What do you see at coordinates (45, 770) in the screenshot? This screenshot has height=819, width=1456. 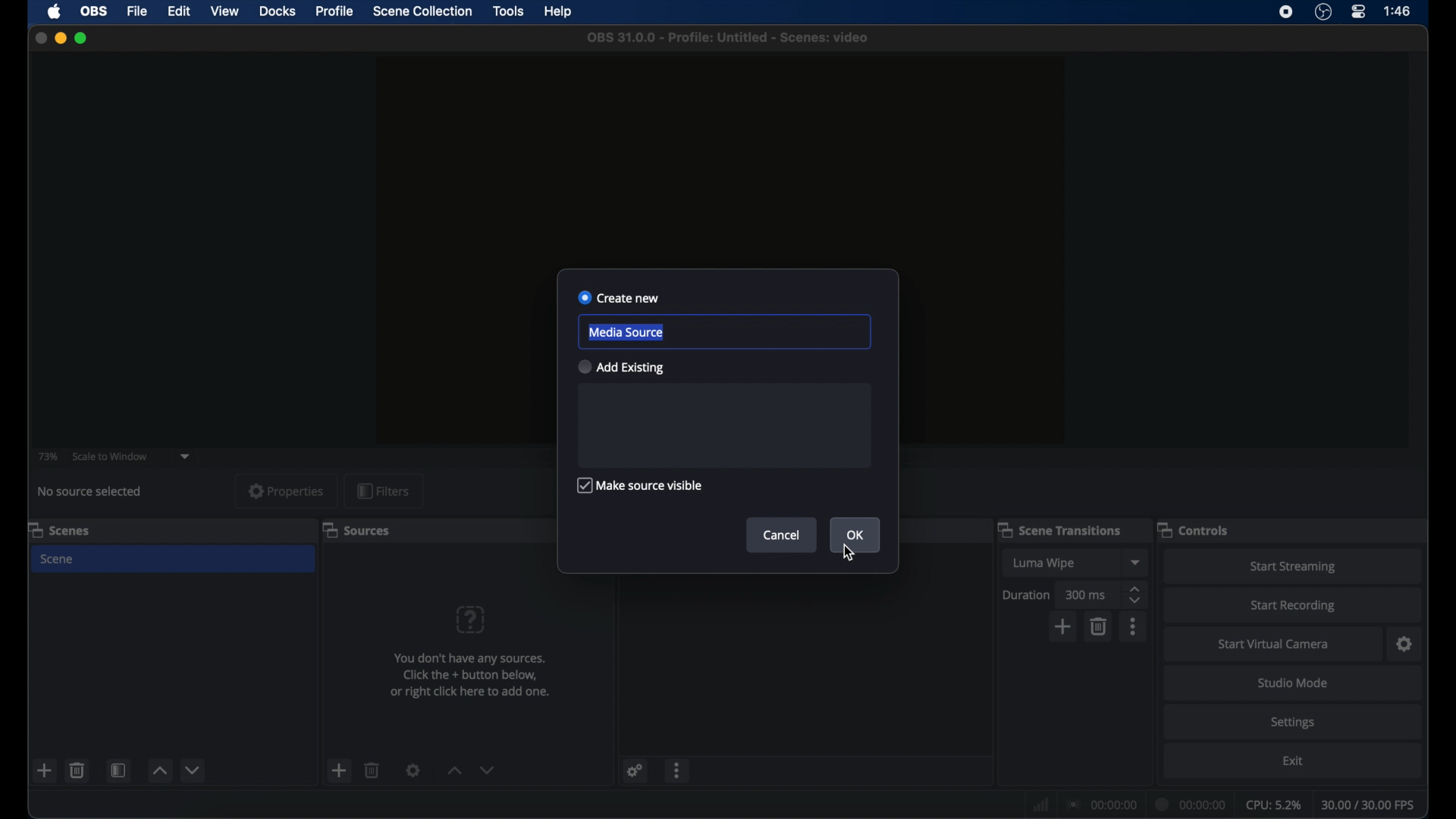 I see `add` at bounding box center [45, 770].